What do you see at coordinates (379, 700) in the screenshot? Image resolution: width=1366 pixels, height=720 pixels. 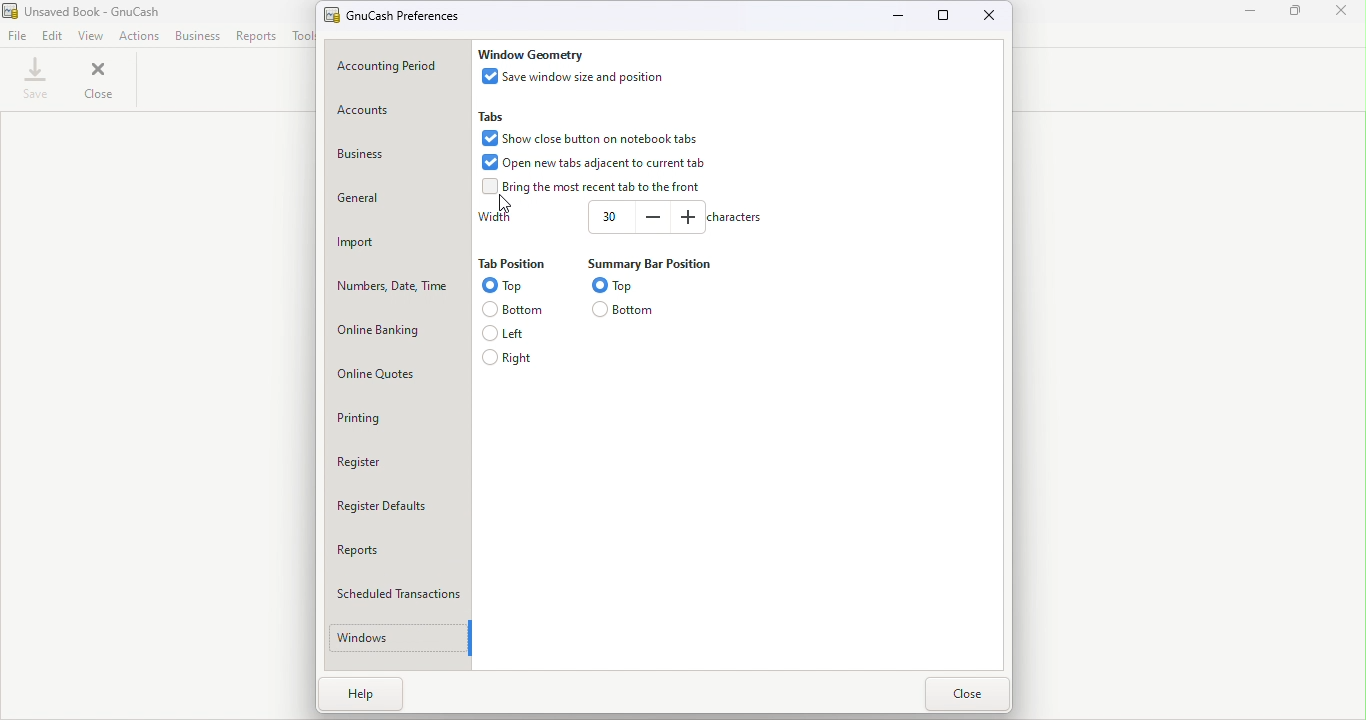 I see `Help` at bounding box center [379, 700].